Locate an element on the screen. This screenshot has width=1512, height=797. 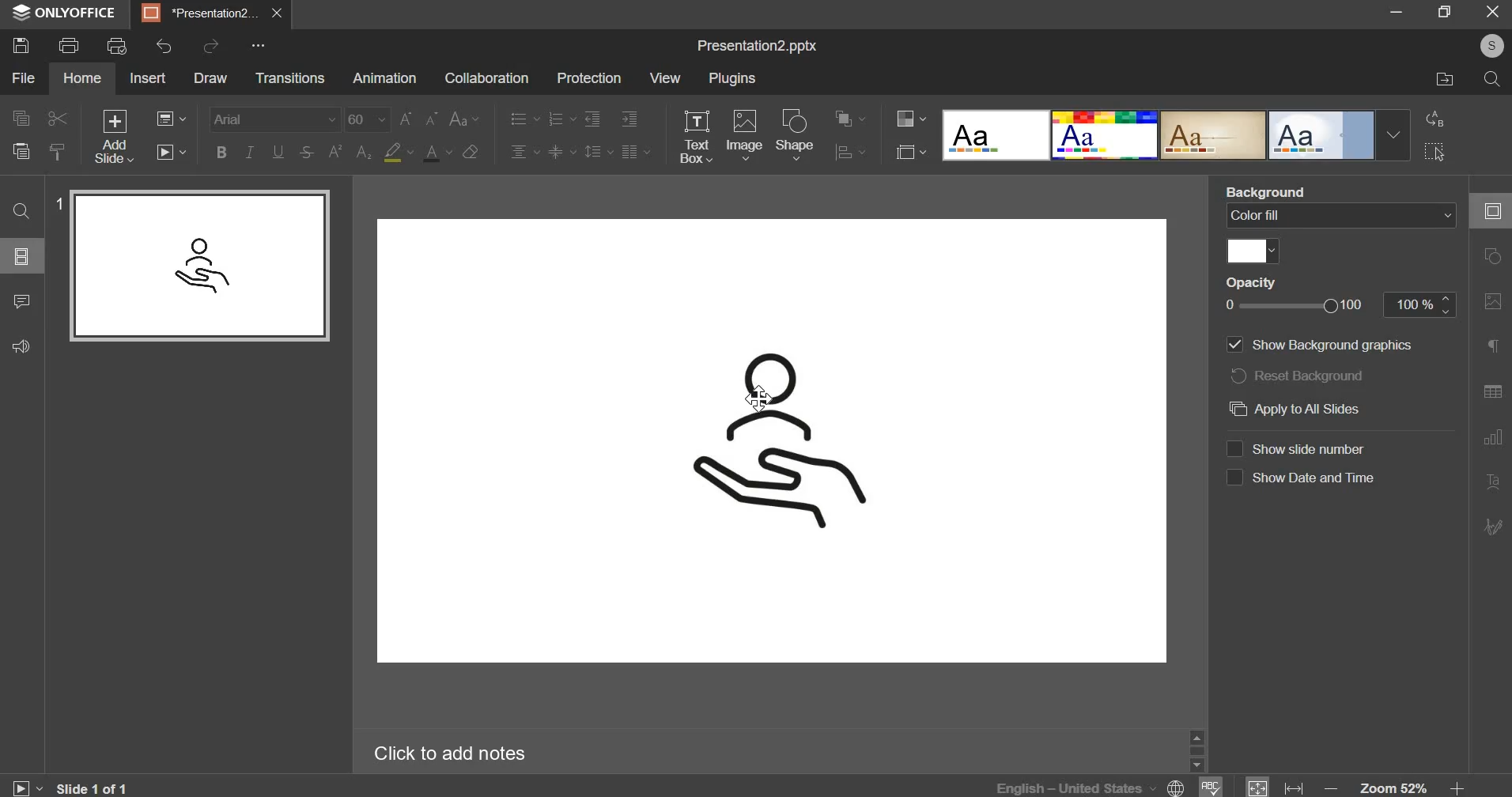
home is located at coordinates (81, 77).